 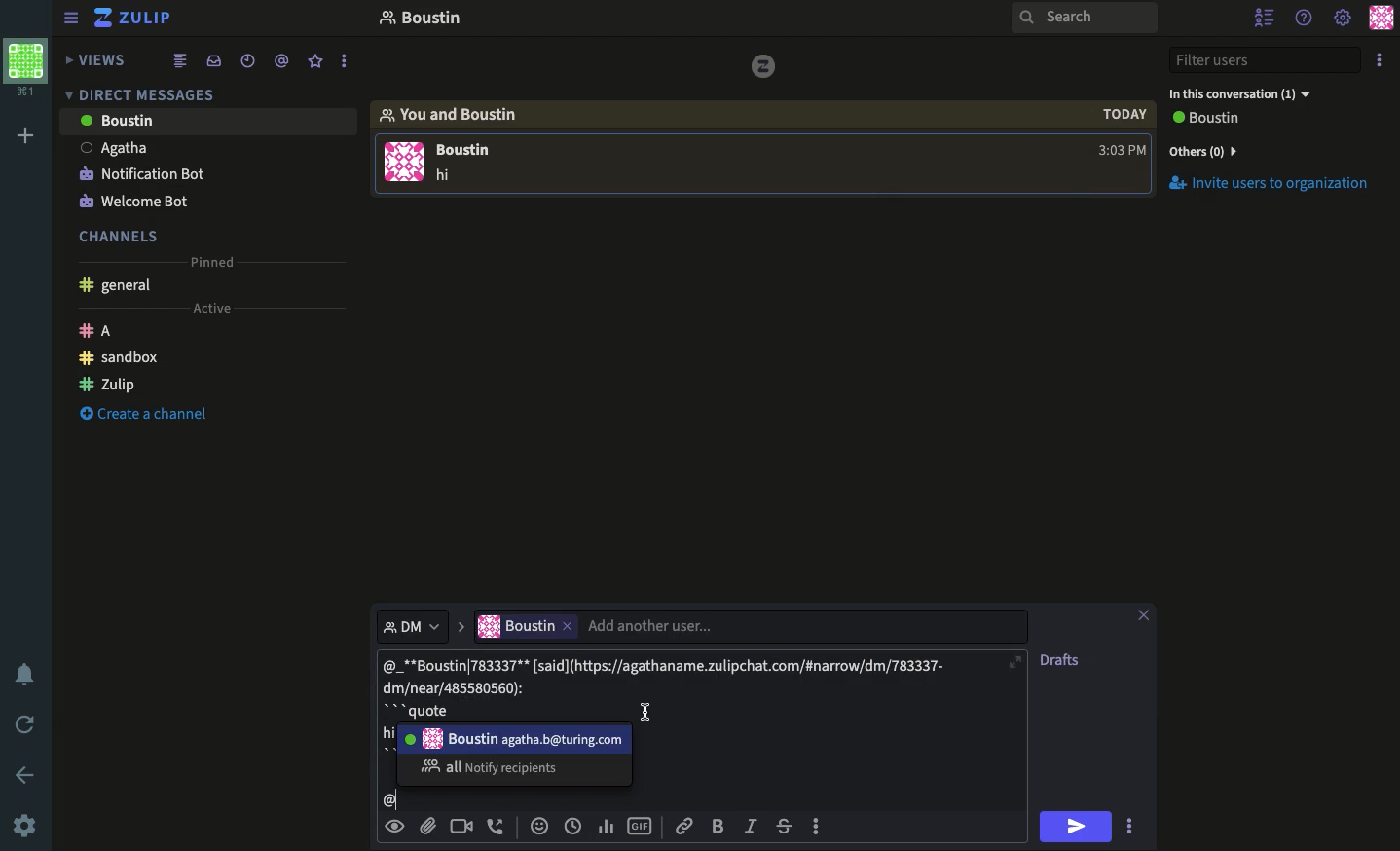 I want to click on User, so click(x=205, y=145).